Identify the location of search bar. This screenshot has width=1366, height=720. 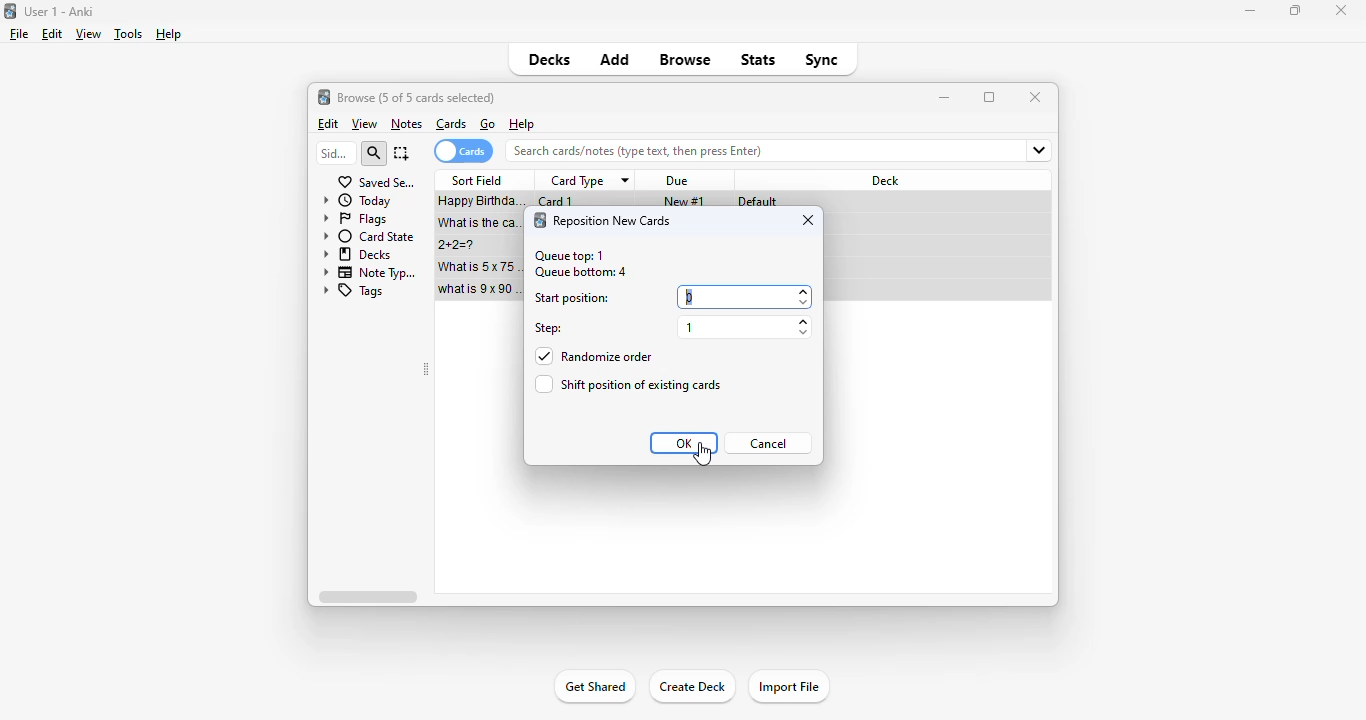
(739, 150).